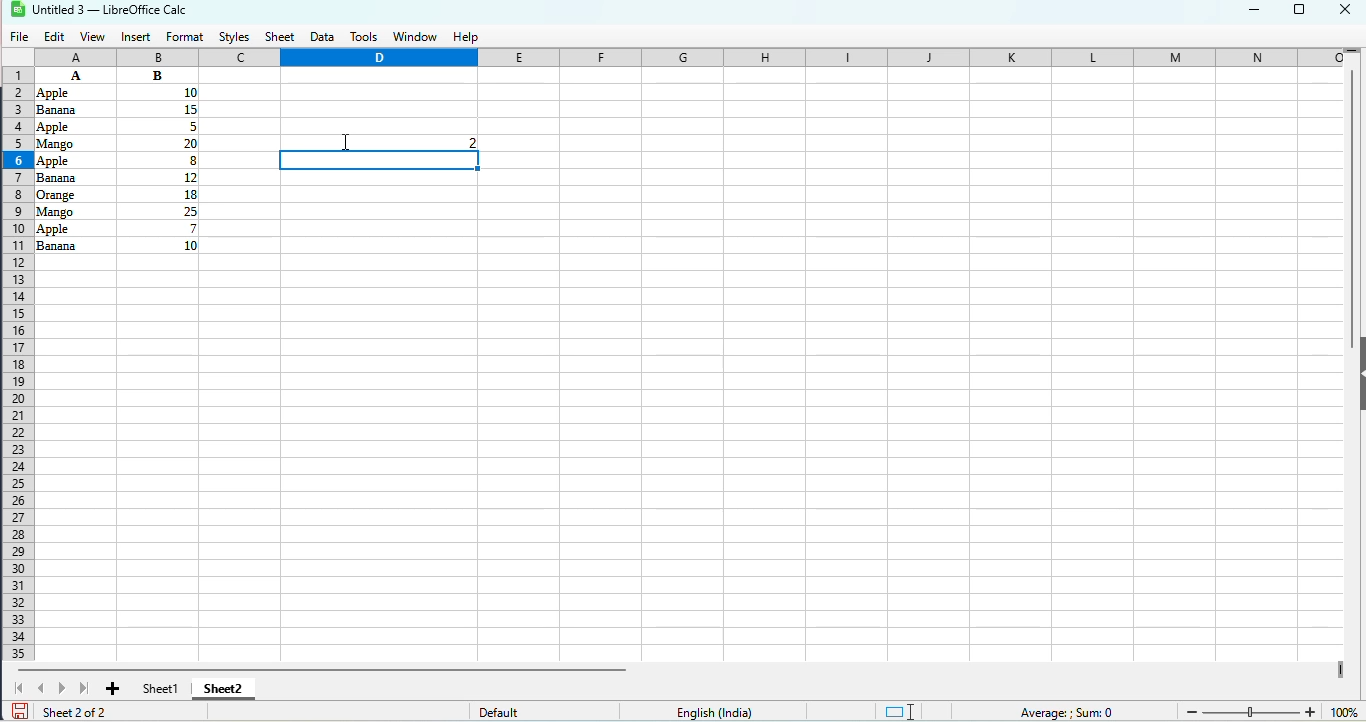 The width and height of the screenshot is (1366, 722). I want to click on zoom, so click(1345, 712).